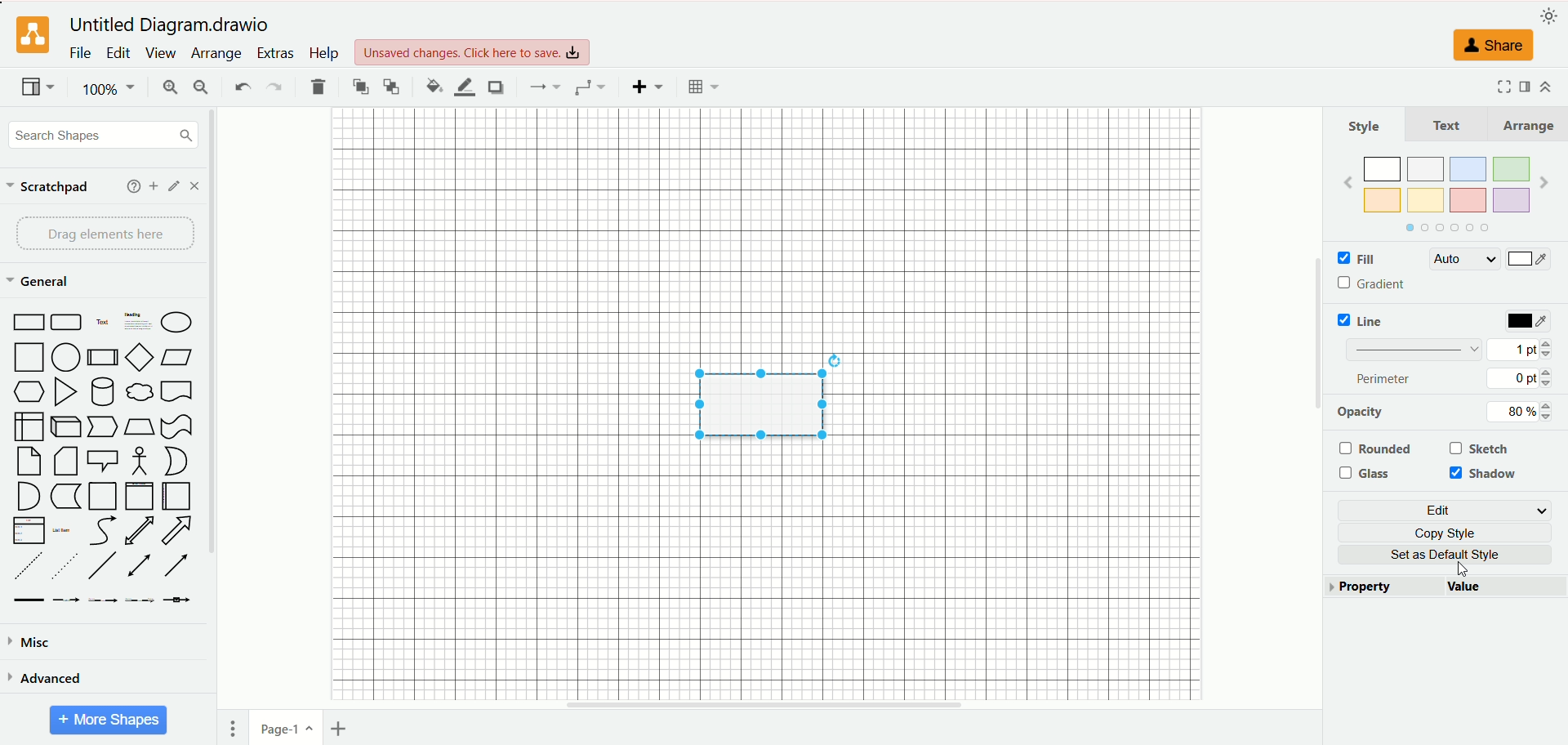 The height and width of the screenshot is (745, 1568). I want to click on unselected, so click(1374, 448).